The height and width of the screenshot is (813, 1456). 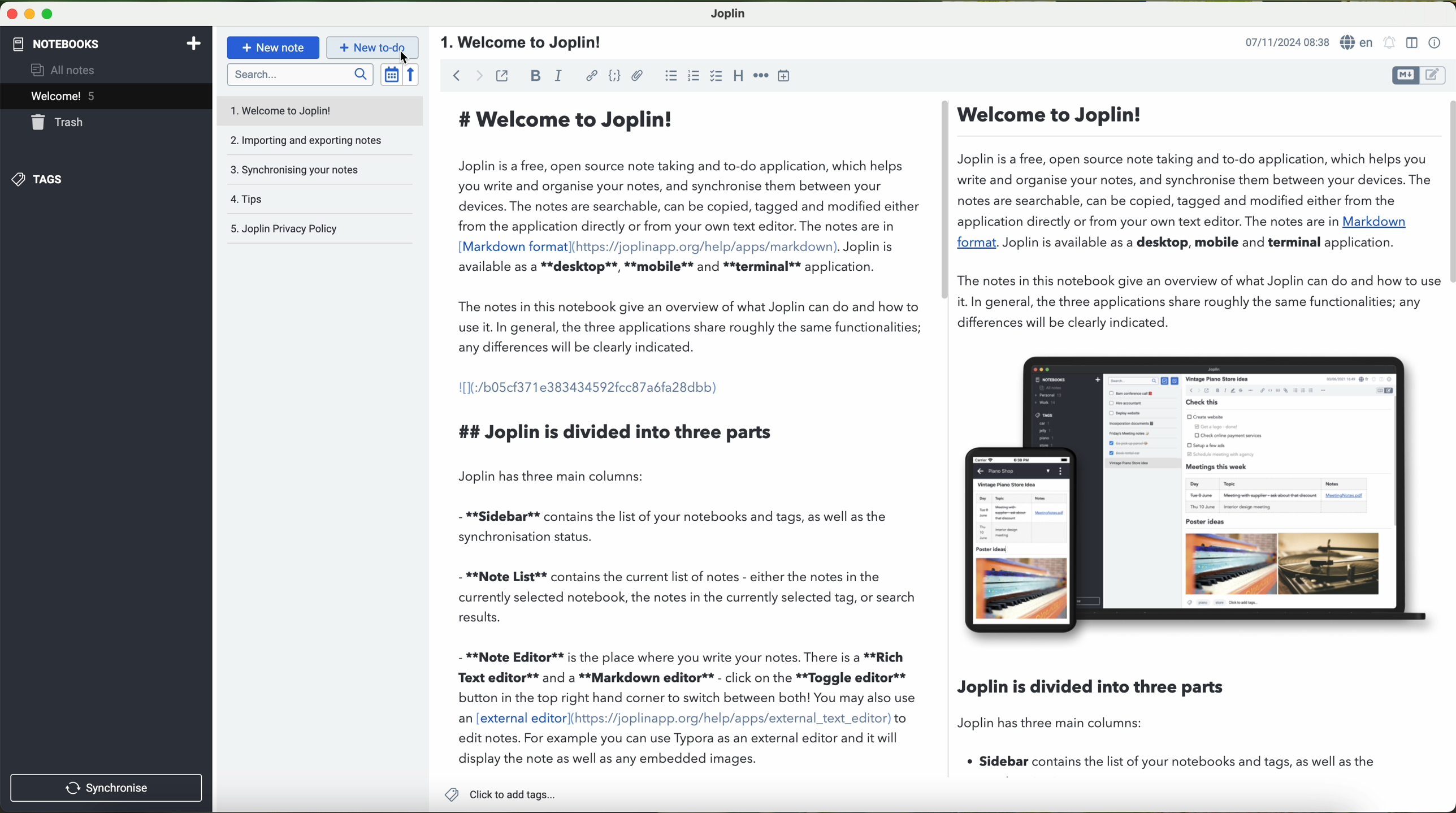 What do you see at coordinates (274, 47) in the screenshot?
I see `new note button` at bounding box center [274, 47].